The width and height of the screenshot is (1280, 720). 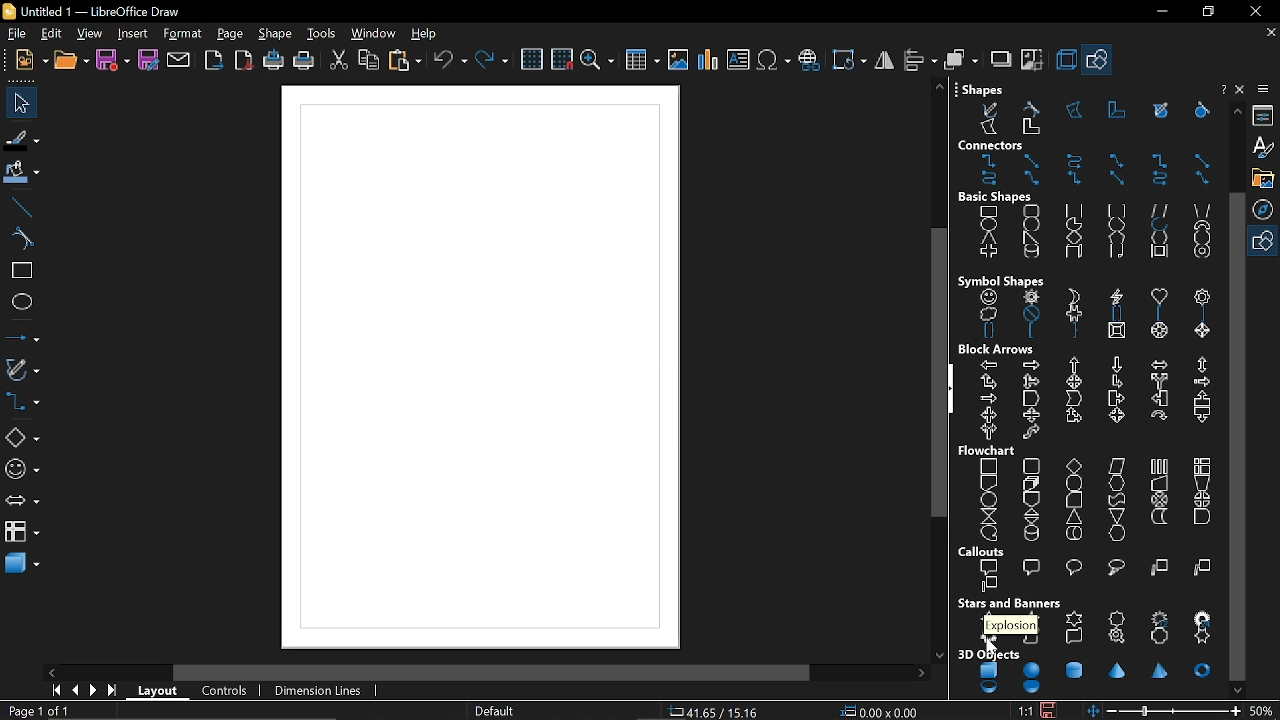 What do you see at coordinates (22, 566) in the screenshot?
I see `3d shapes` at bounding box center [22, 566].